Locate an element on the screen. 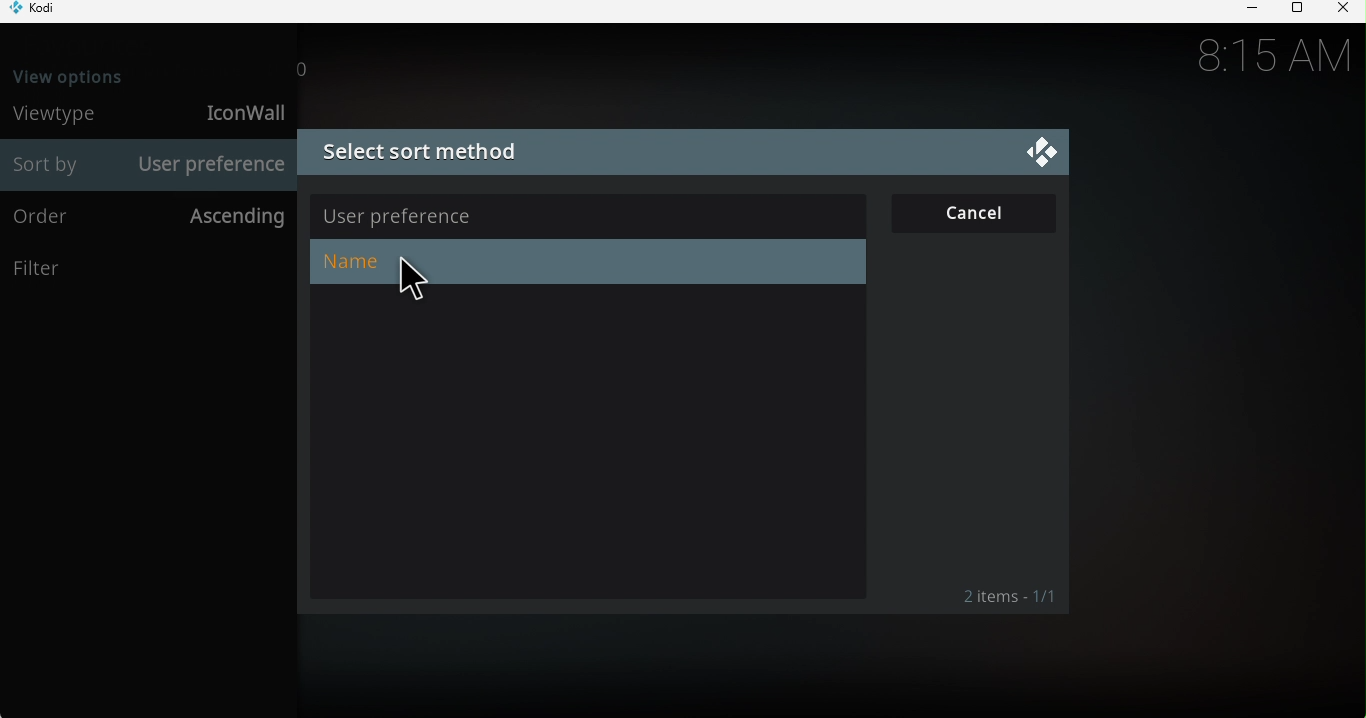 This screenshot has height=718, width=1366. User preference is located at coordinates (211, 165).